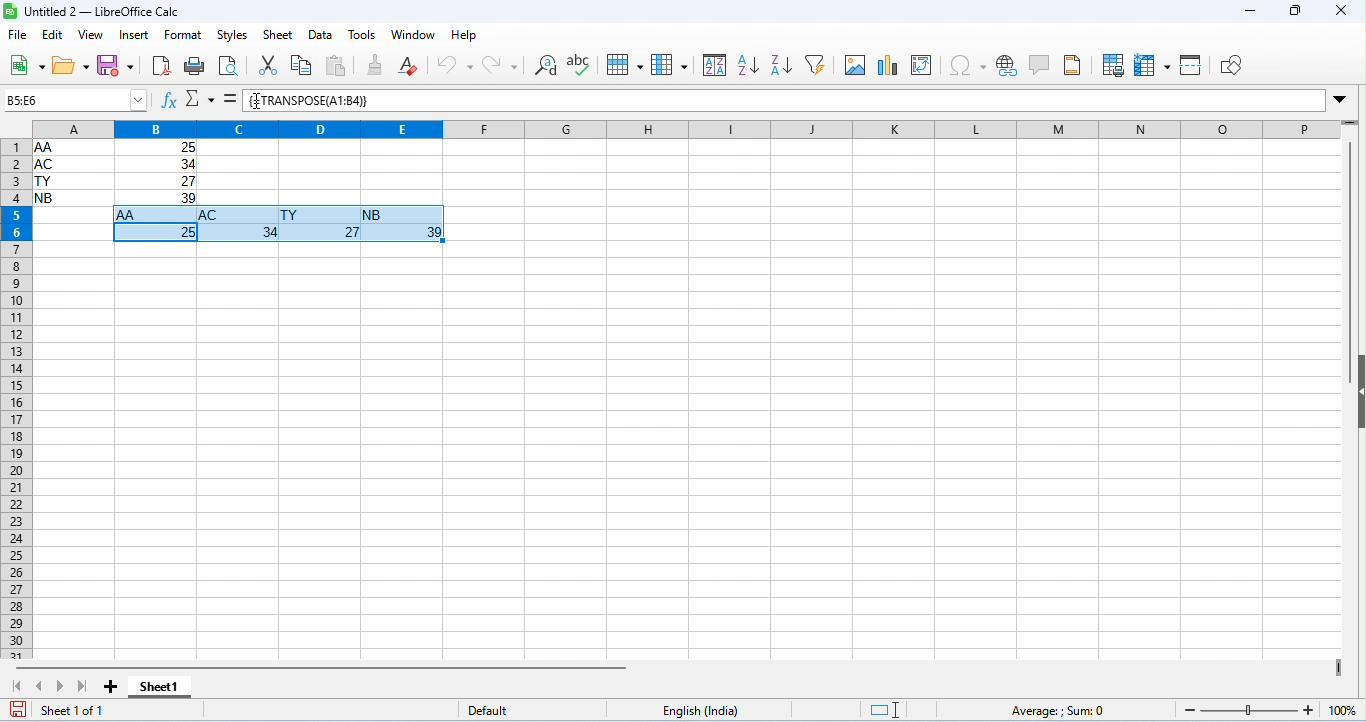 This screenshot has width=1366, height=722. What do you see at coordinates (54, 35) in the screenshot?
I see `edit` at bounding box center [54, 35].